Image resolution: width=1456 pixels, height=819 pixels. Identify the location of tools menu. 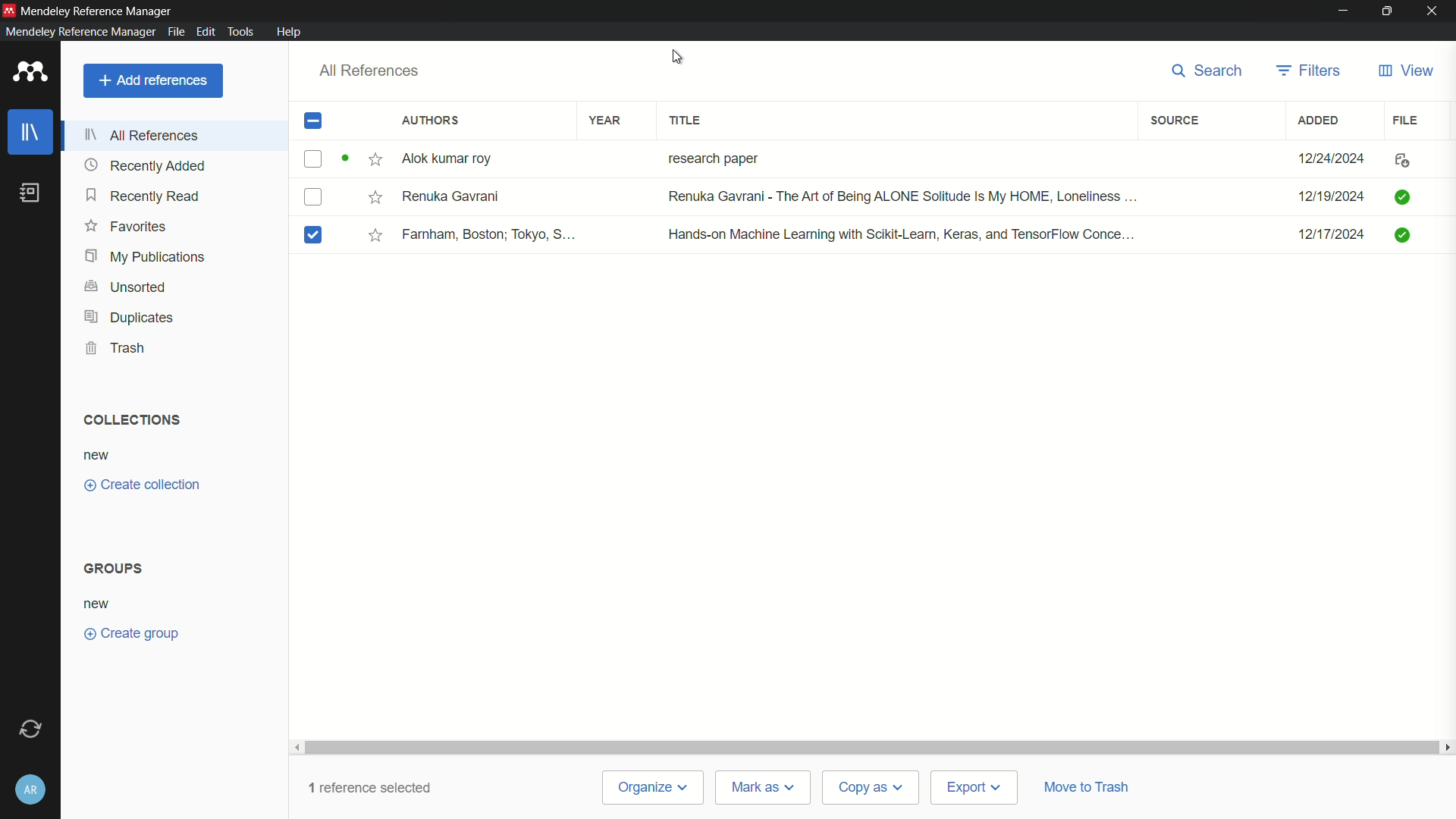
(242, 32).